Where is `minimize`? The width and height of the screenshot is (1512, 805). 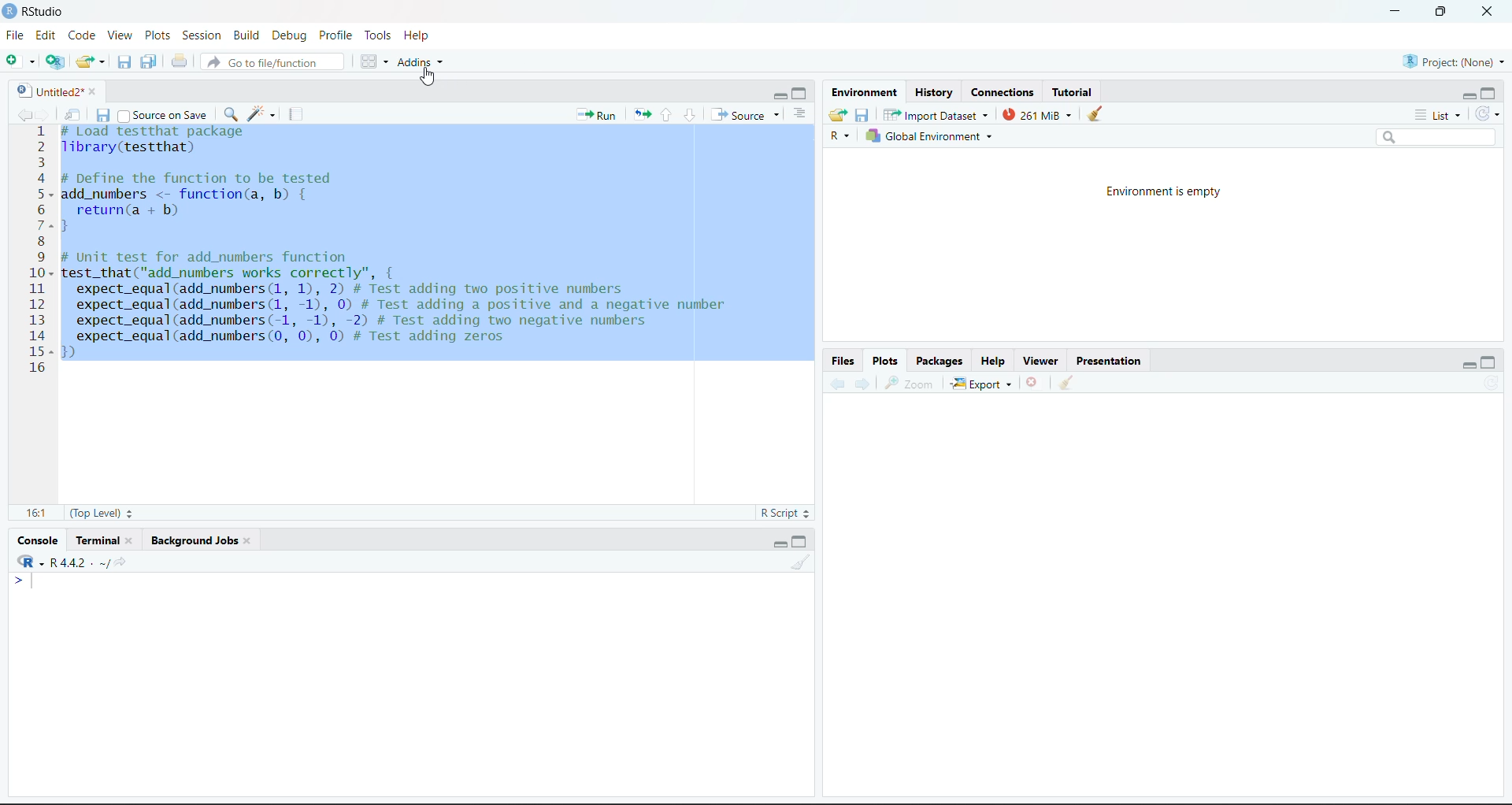 minimize is located at coordinates (1395, 11).